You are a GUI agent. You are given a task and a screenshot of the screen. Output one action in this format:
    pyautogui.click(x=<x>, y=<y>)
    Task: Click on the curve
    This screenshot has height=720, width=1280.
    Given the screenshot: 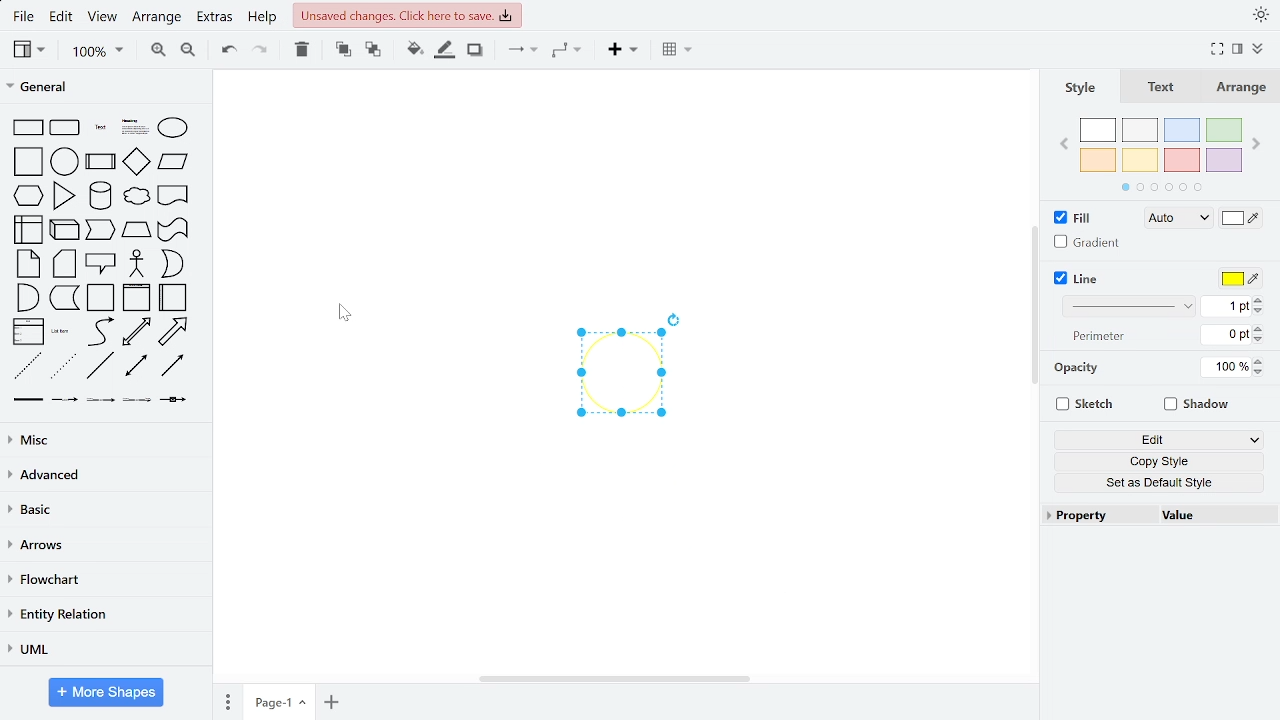 What is the action you would take?
    pyautogui.click(x=101, y=332)
    